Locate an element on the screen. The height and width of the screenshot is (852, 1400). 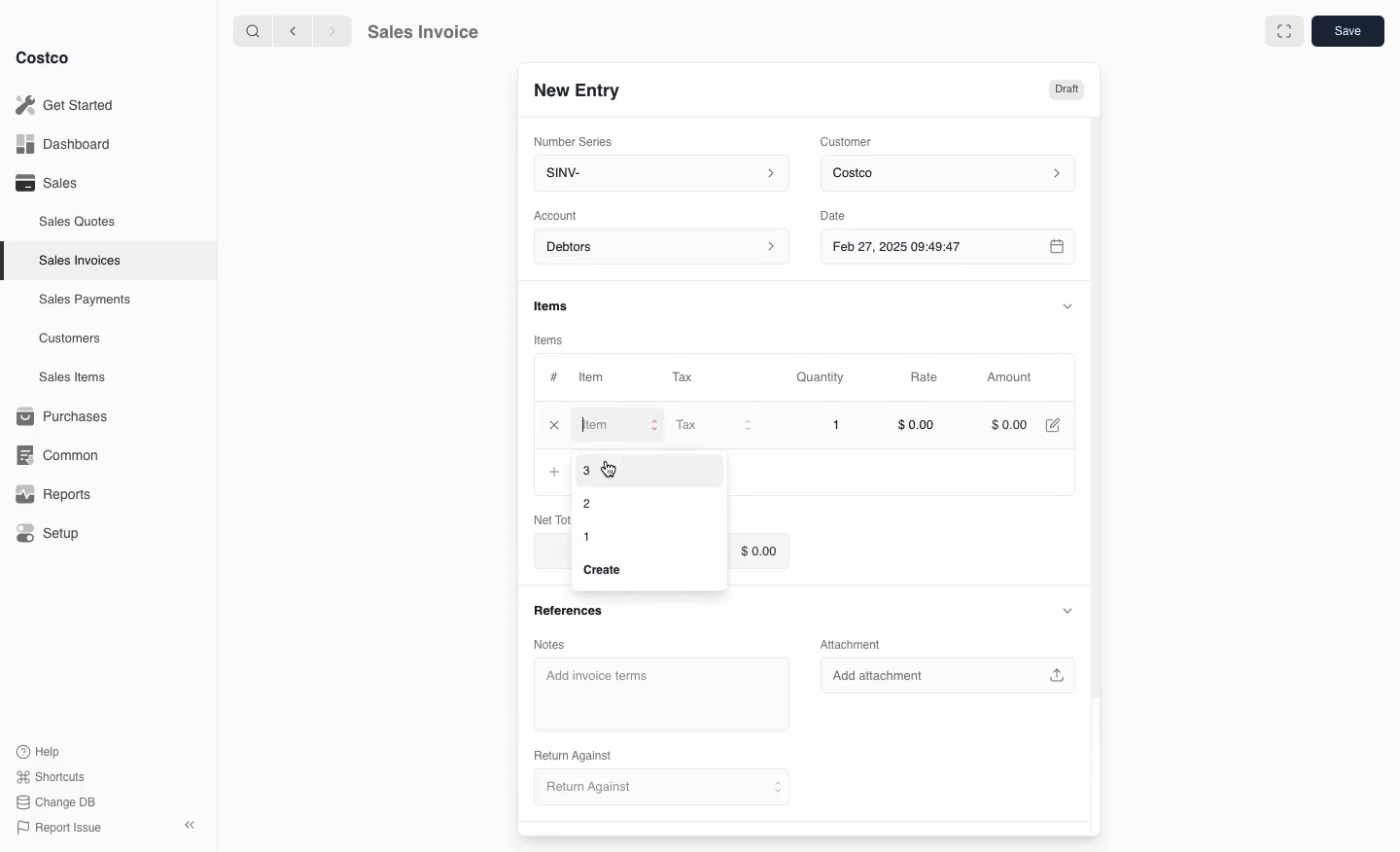
2 is located at coordinates (586, 503).